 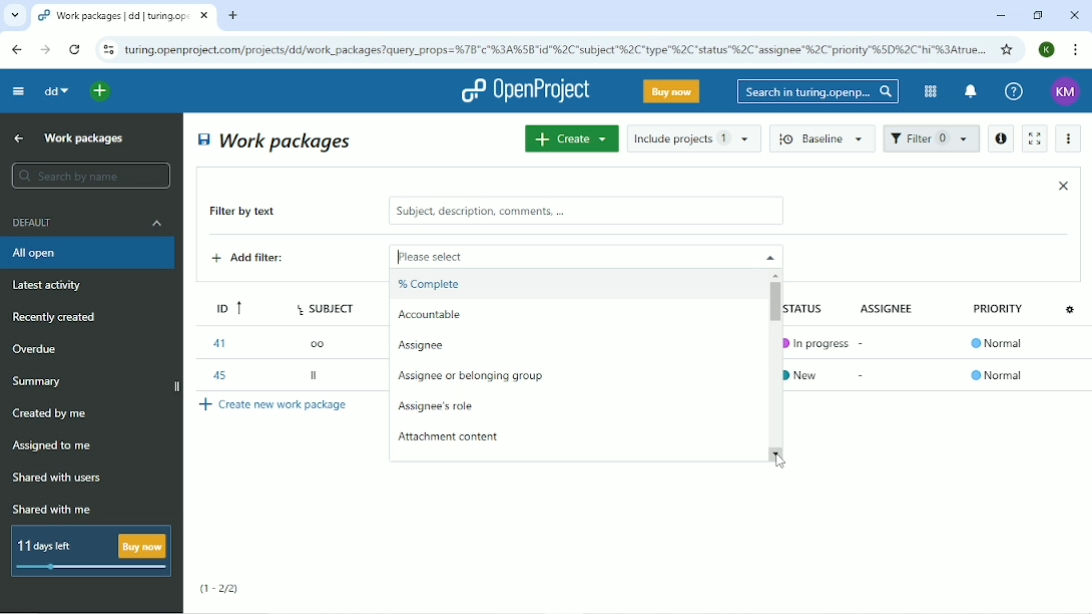 I want to click on Search by name, so click(x=90, y=176).